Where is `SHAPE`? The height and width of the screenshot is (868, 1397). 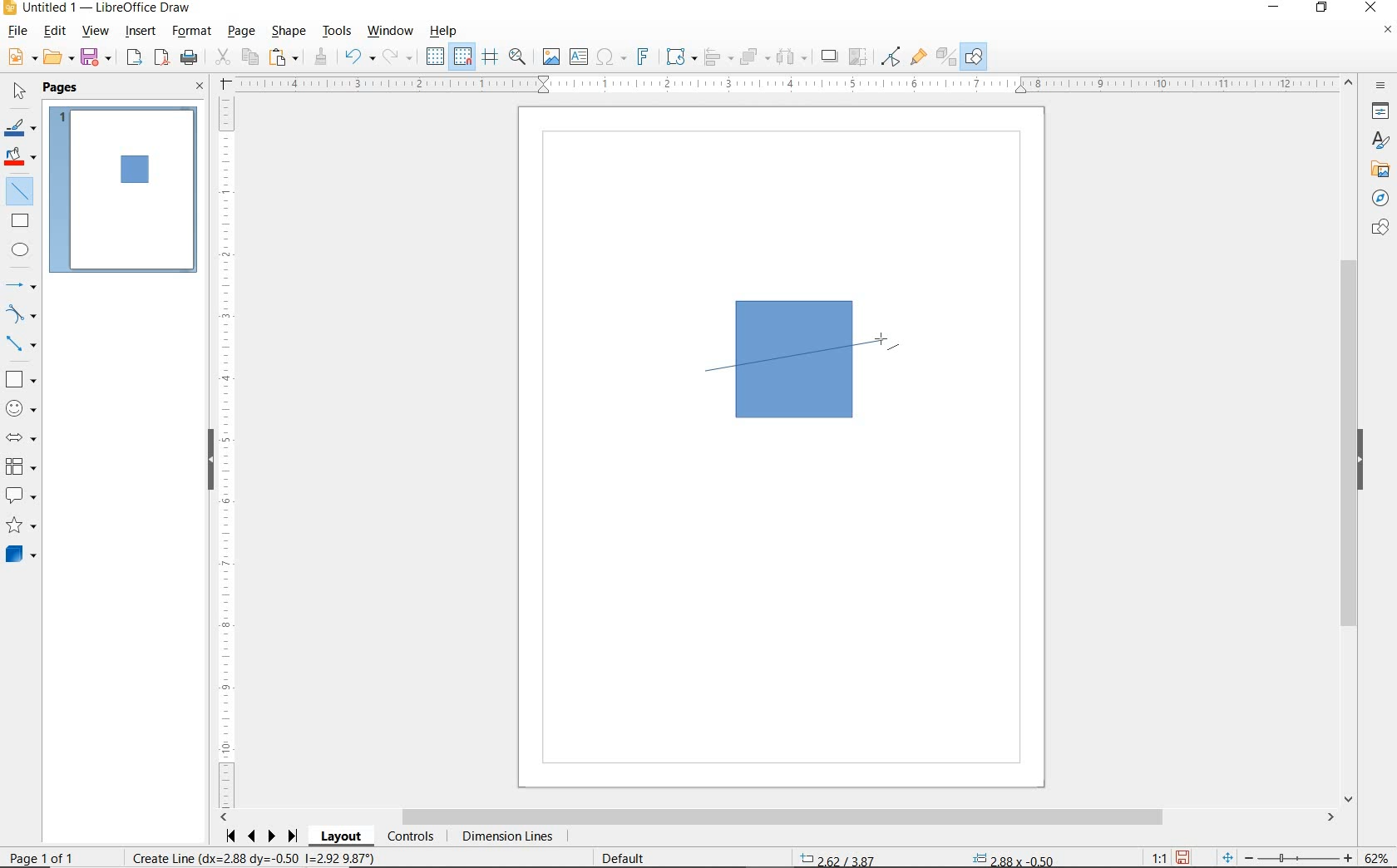
SHAPE is located at coordinates (289, 32).